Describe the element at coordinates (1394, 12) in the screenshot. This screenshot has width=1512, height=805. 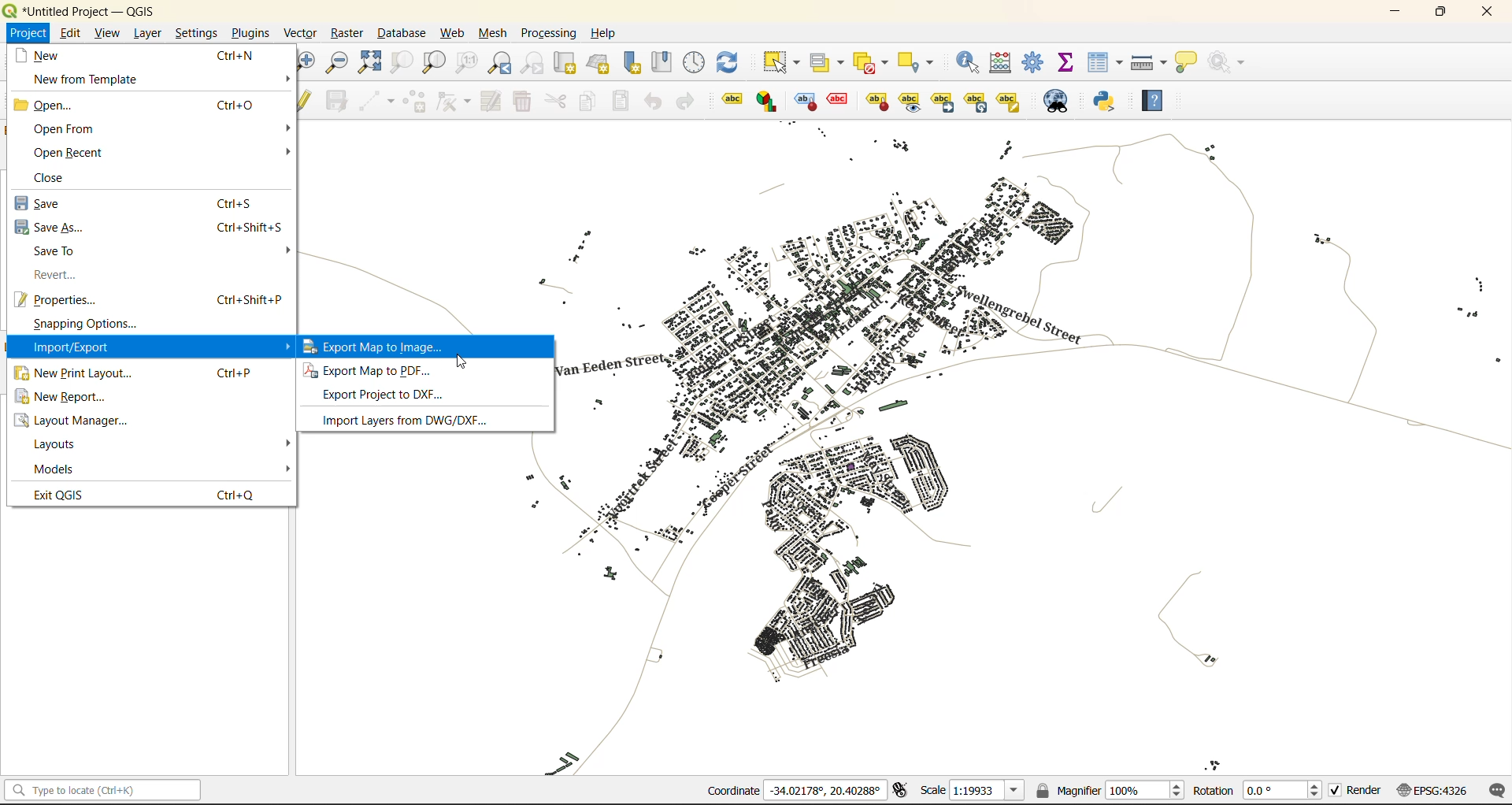
I see `minimize` at that location.